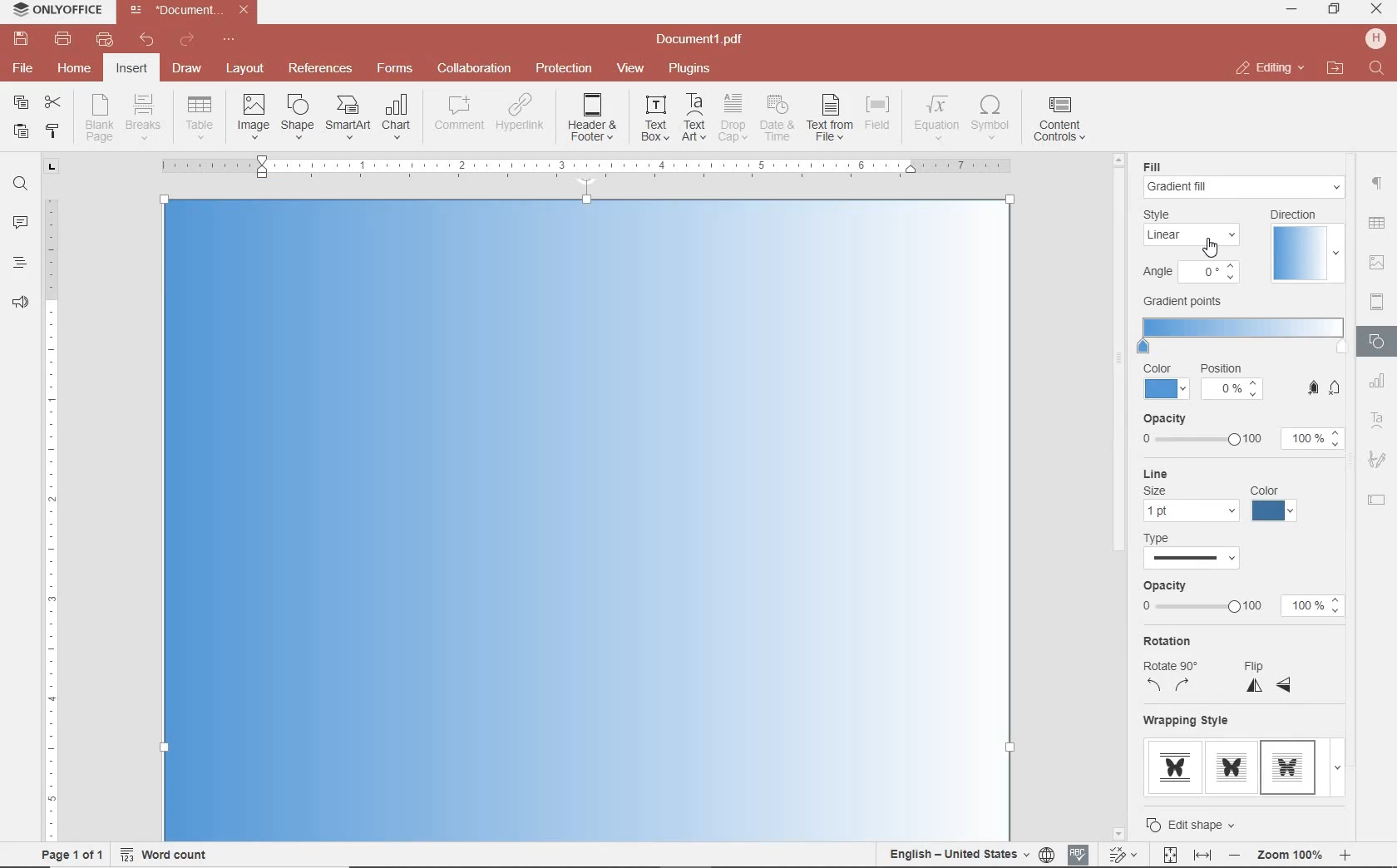 This screenshot has height=868, width=1397. I want to click on INSERT TEXT ART, so click(694, 118).